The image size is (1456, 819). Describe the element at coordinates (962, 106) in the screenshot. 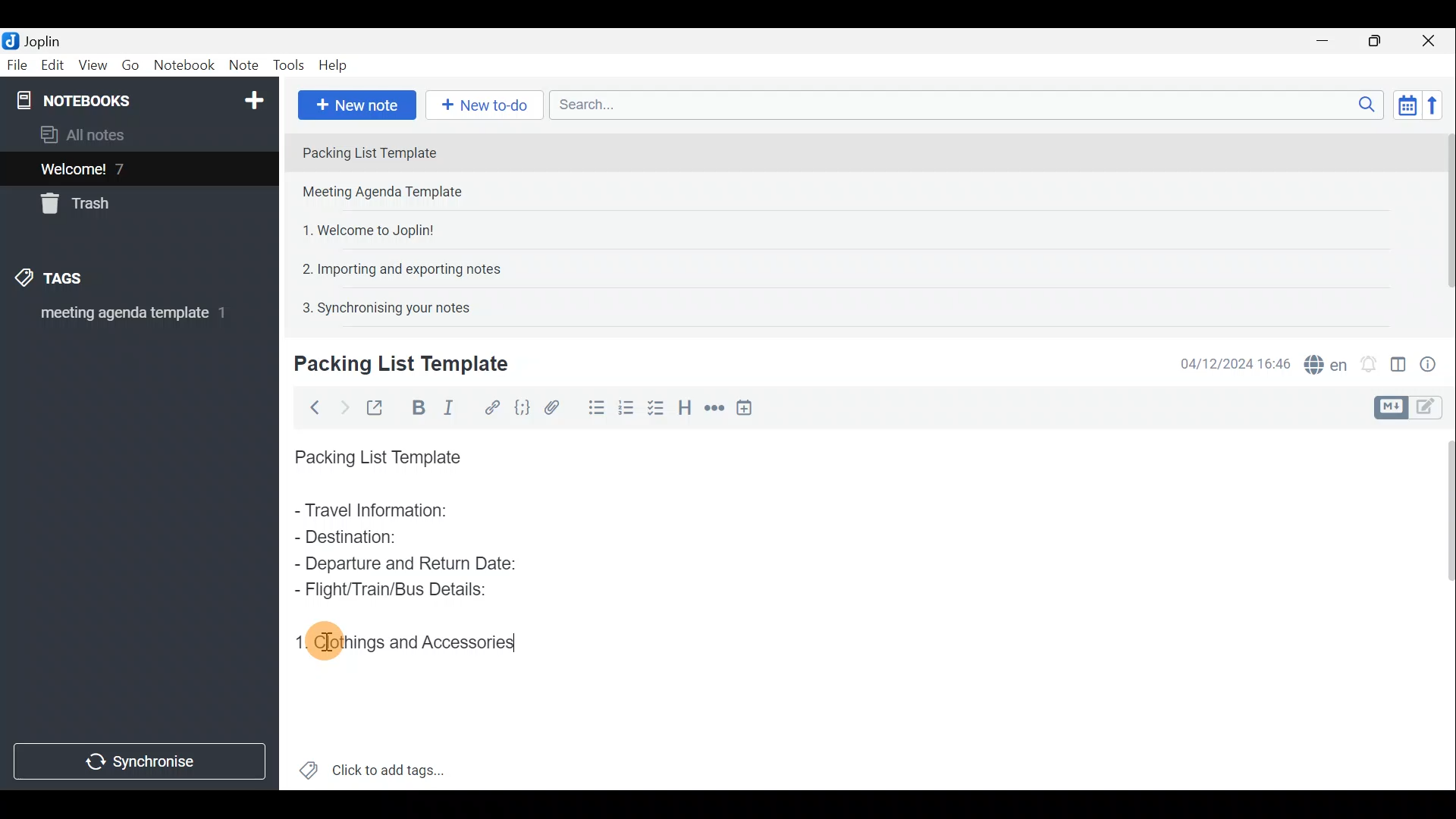

I see `Search bar` at that location.